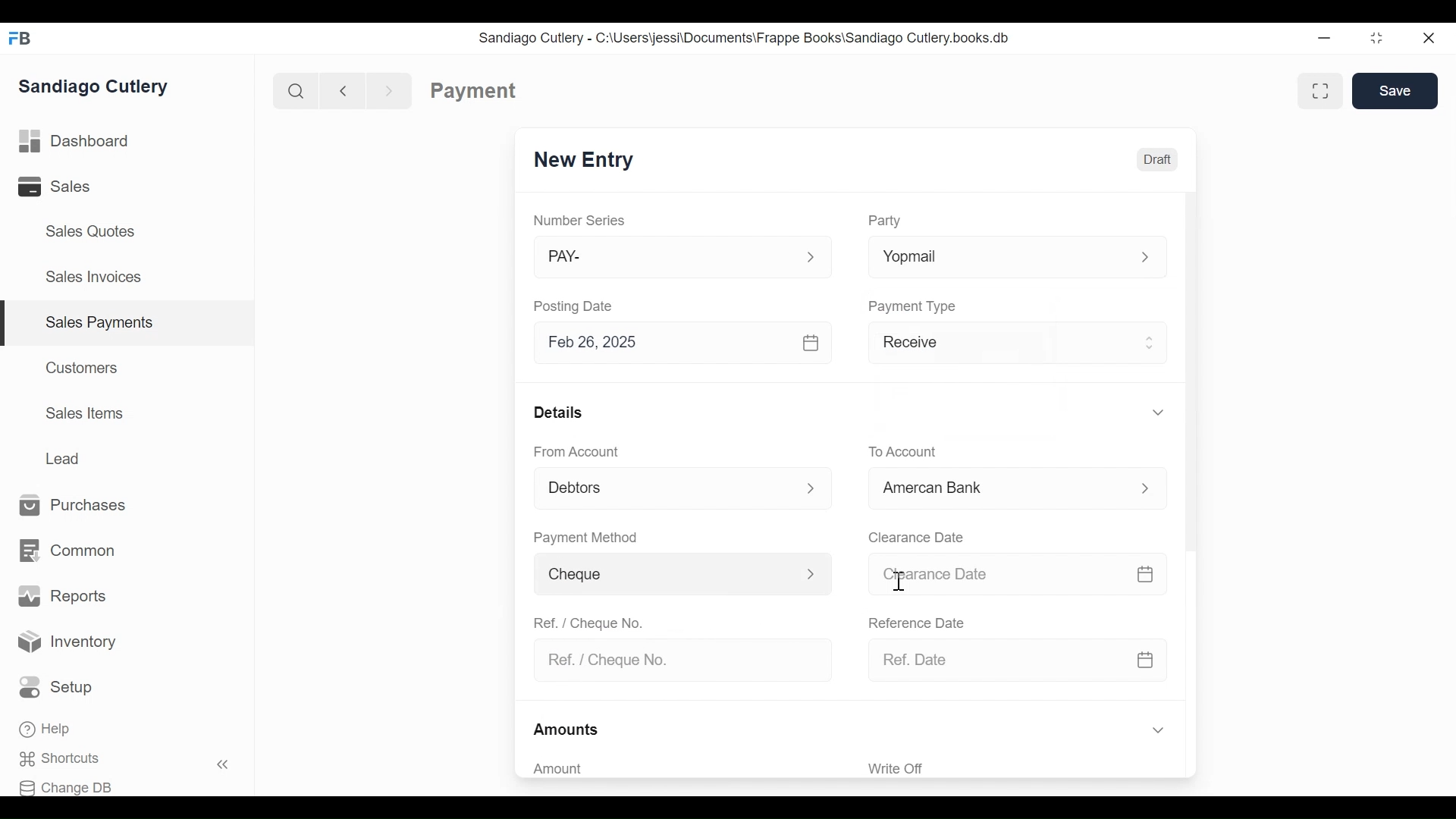 The image size is (1456, 819). Describe the element at coordinates (65, 187) in the screenshot. I see `Sales` at that location.